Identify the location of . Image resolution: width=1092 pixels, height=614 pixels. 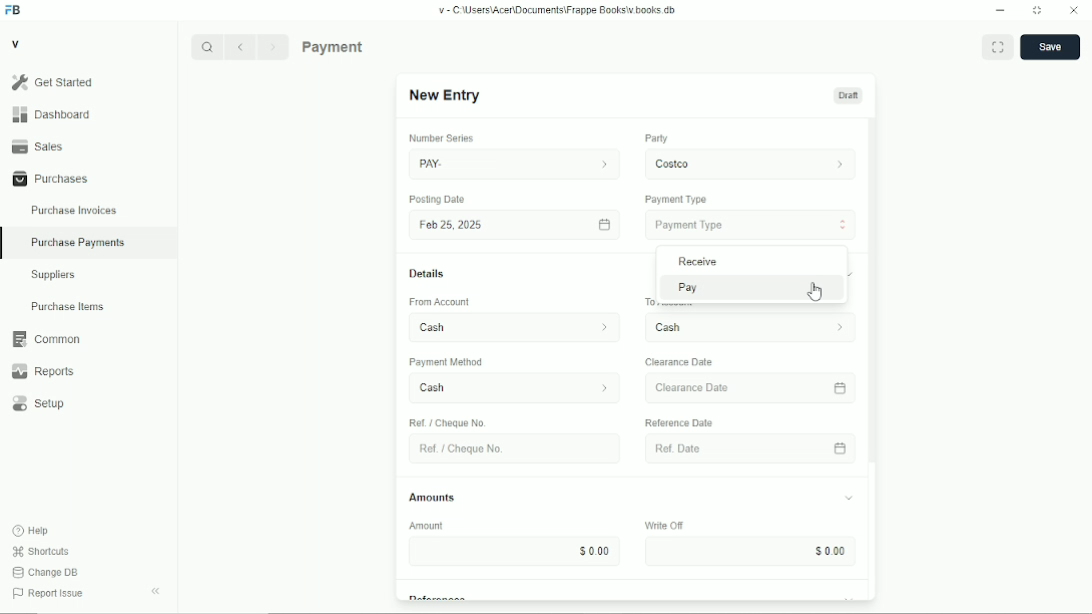
(748, 552).